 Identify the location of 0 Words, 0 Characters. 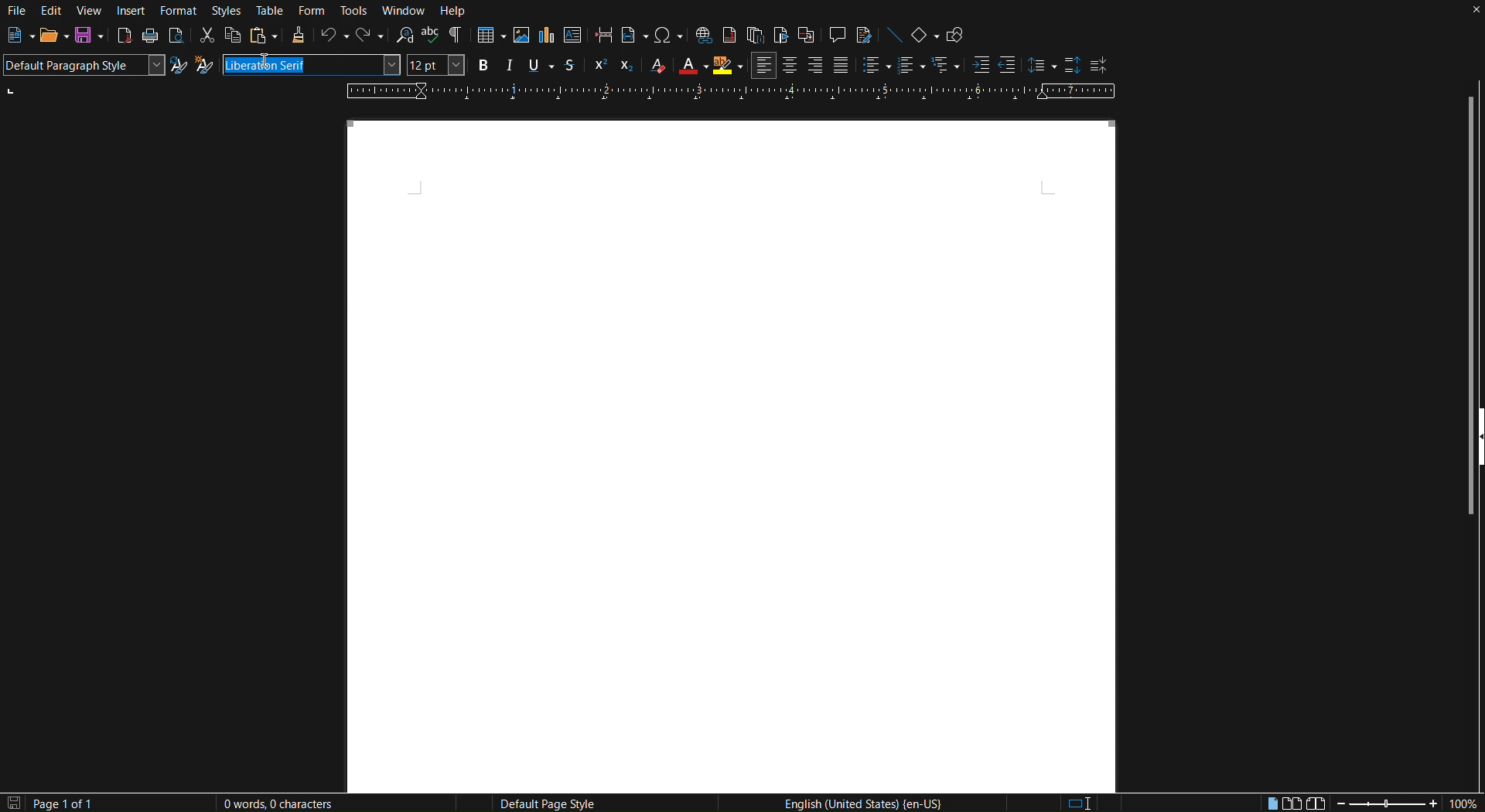
(276, 801).